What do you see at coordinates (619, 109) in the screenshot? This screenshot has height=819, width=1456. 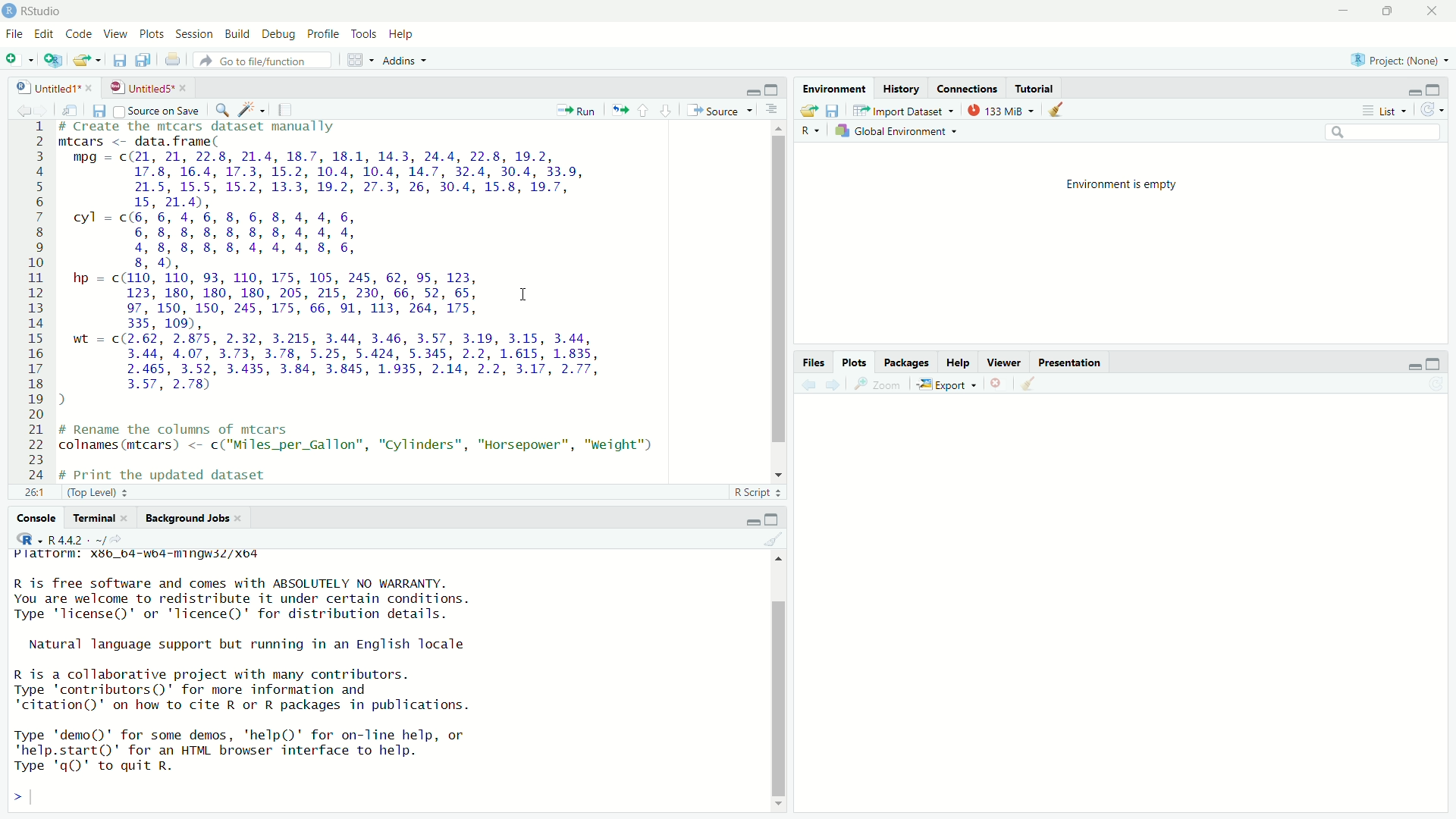 I see `move` at bounding box center [619, 109].